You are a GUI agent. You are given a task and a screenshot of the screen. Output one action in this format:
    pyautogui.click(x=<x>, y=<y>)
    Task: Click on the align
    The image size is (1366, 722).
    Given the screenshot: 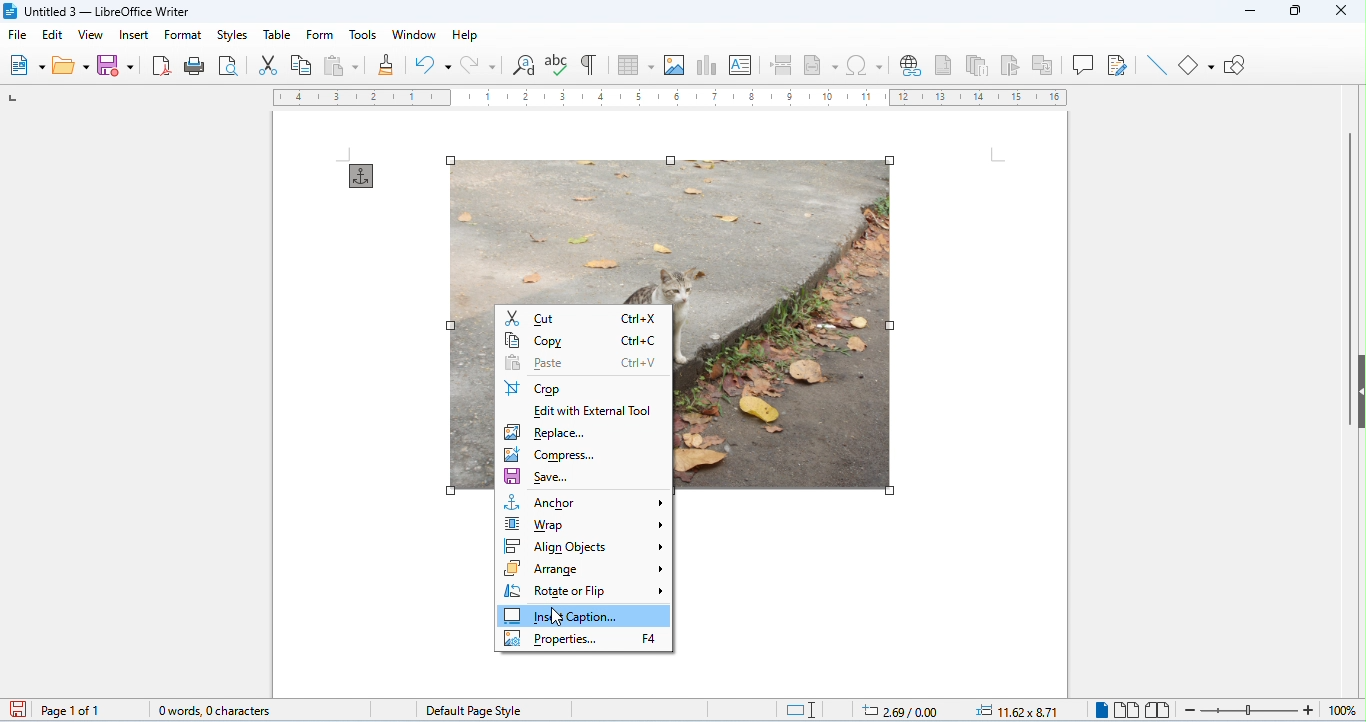 What is the action you would take?
    pyautogui.click(x=588, y=546)
    